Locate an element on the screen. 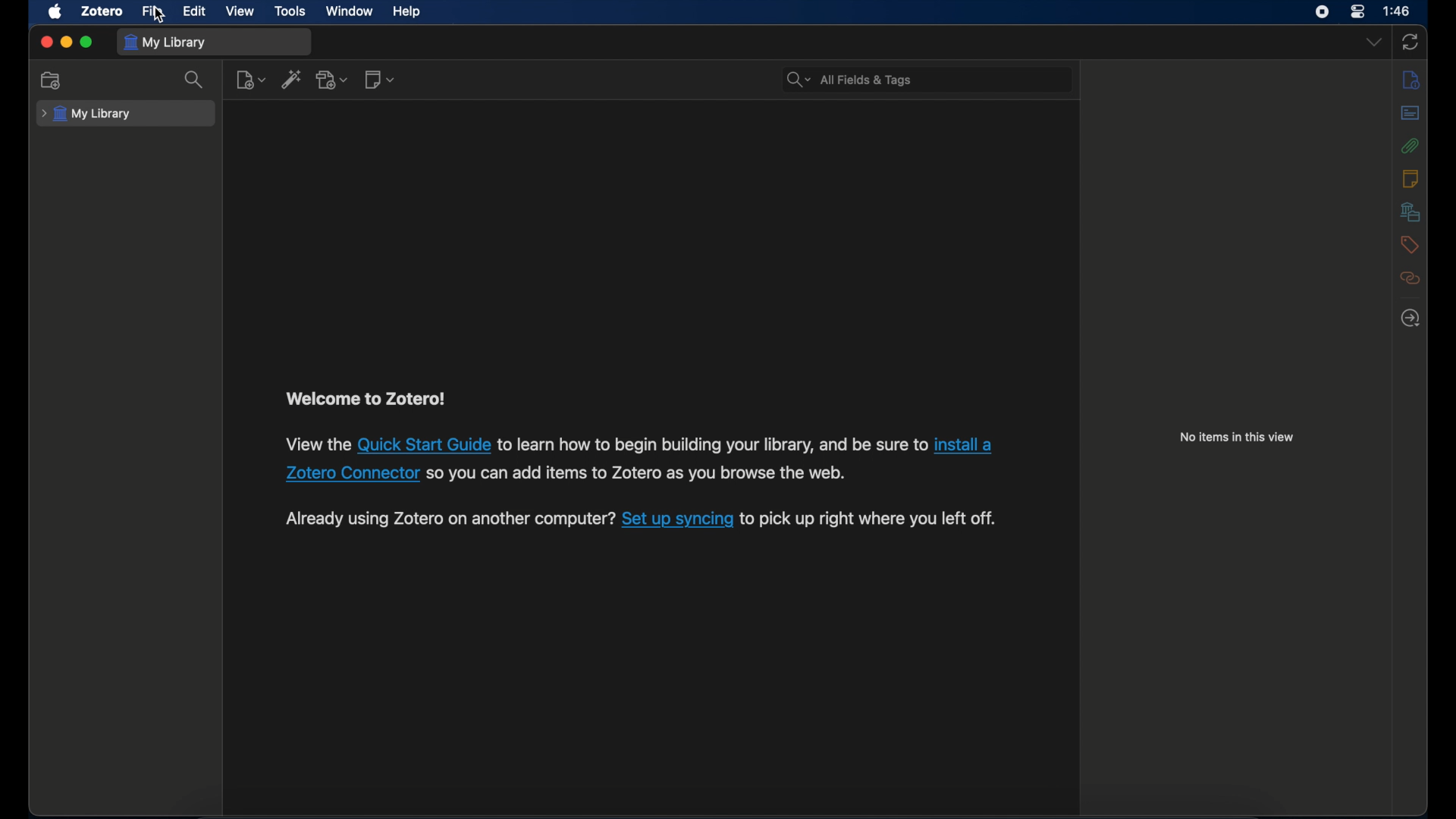  info is located at coordinates (1411, 81).